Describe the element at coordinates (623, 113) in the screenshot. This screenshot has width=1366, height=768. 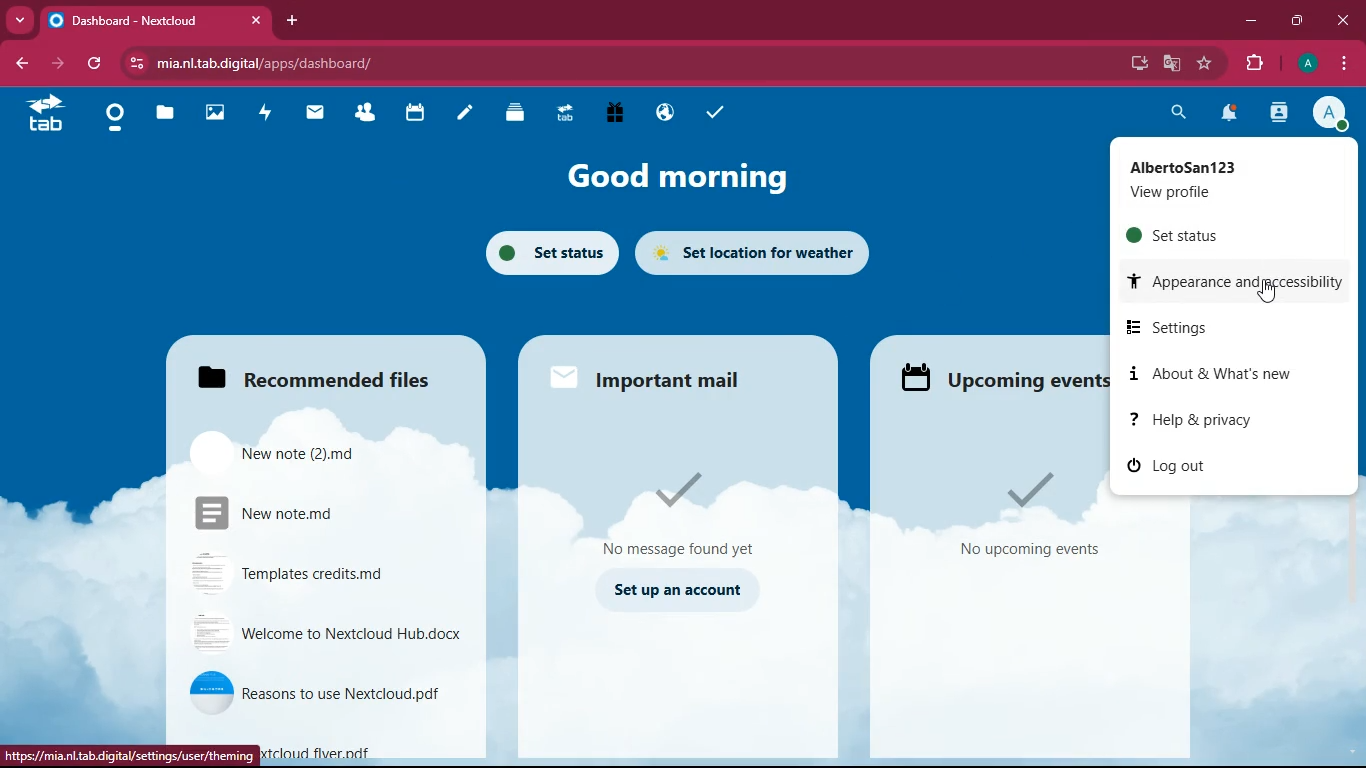
I see `gift` at that location.